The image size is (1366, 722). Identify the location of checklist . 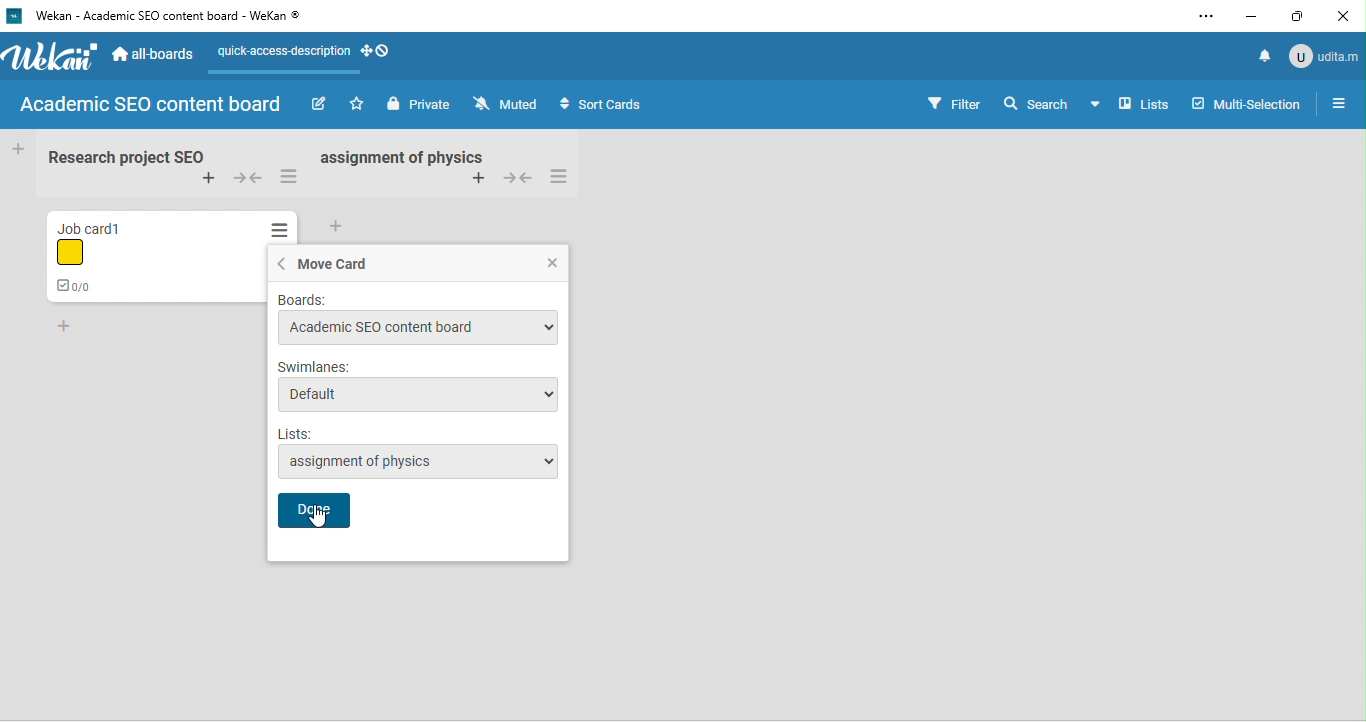
(74, 287).